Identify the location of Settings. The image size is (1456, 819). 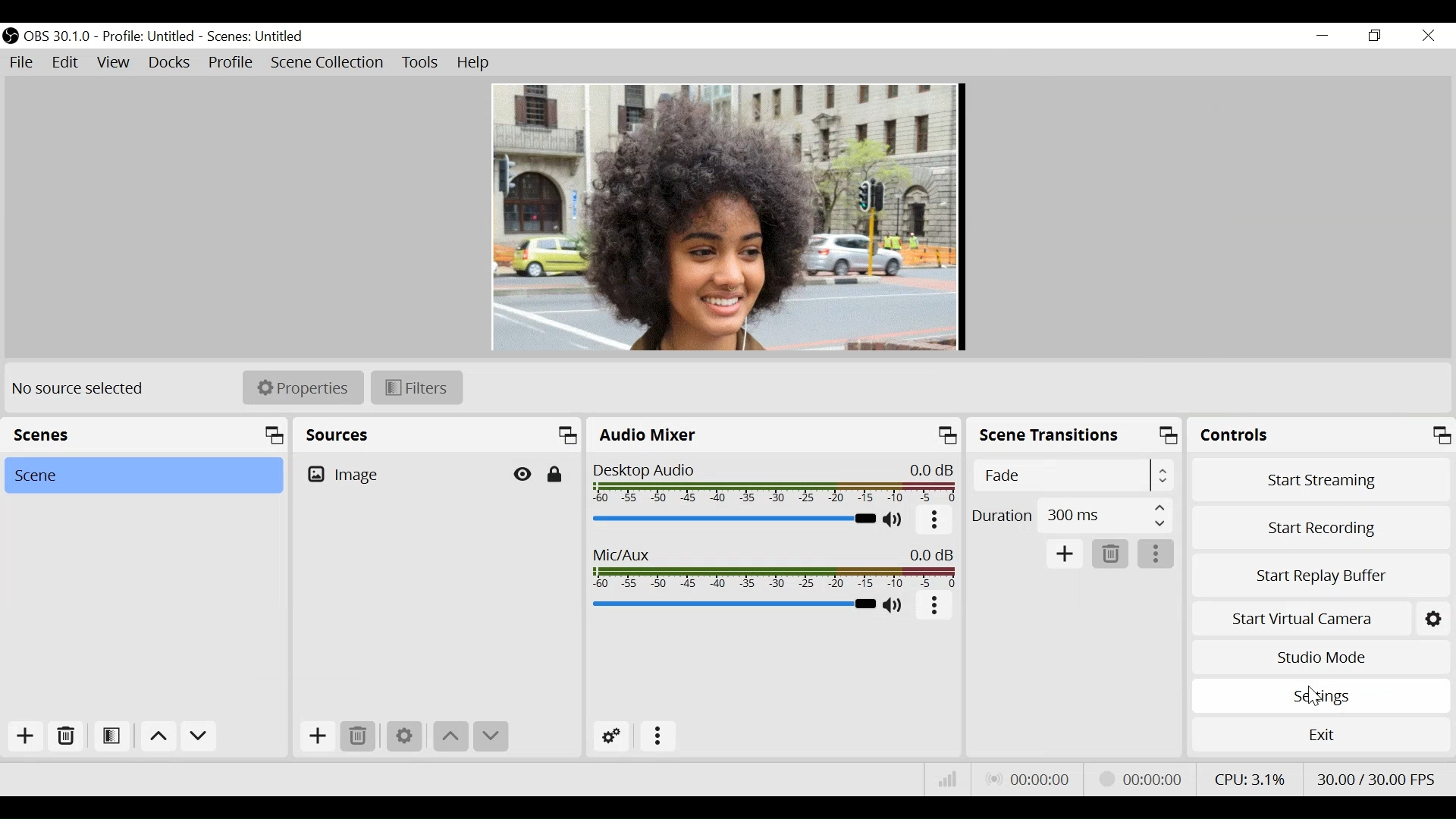
(403, 736).